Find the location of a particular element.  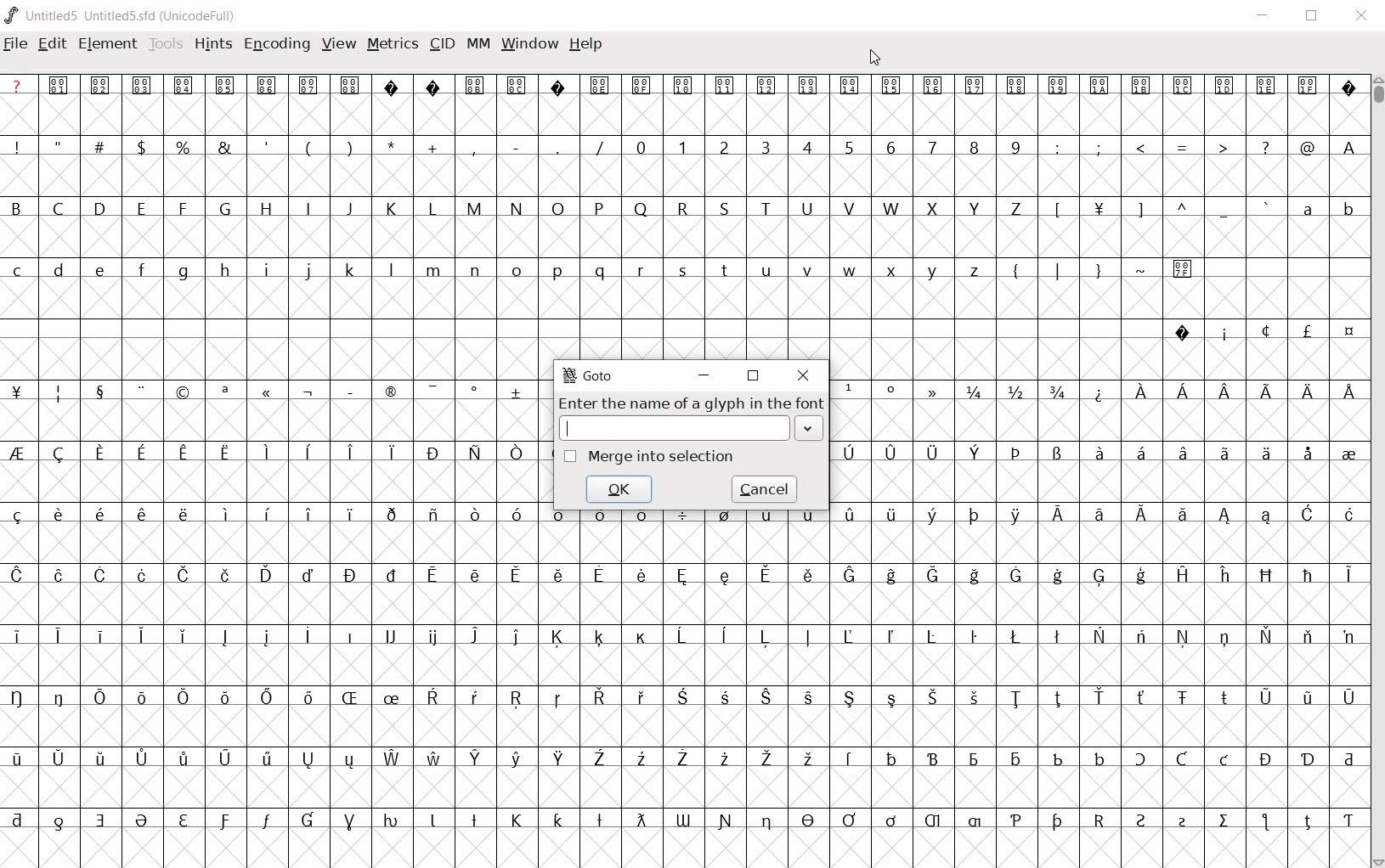

Symbol is located at coordinates (1182, 573).